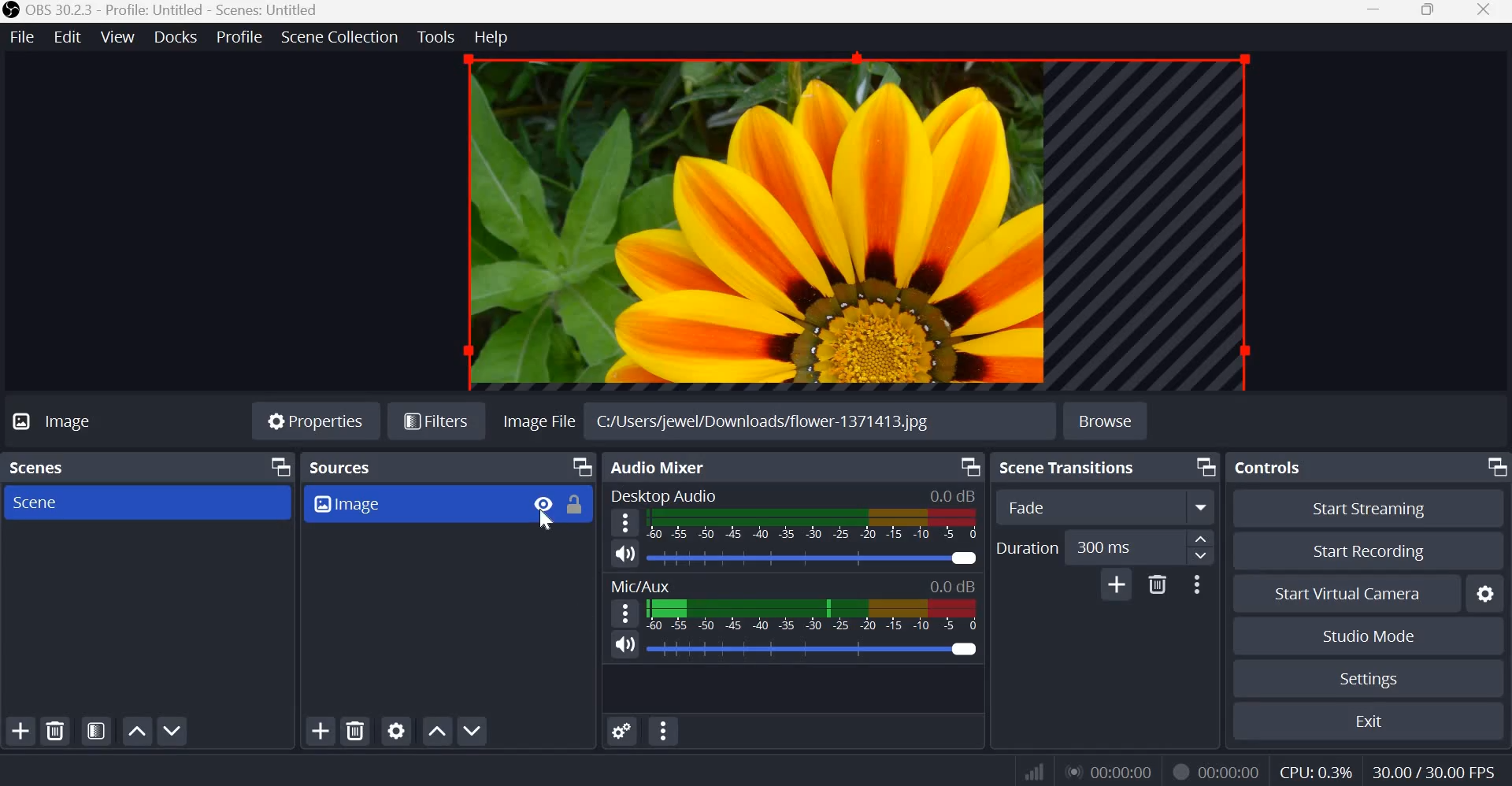  Describe the element at coordinates (21, 36) in the screenshot. I see `File` at that location.